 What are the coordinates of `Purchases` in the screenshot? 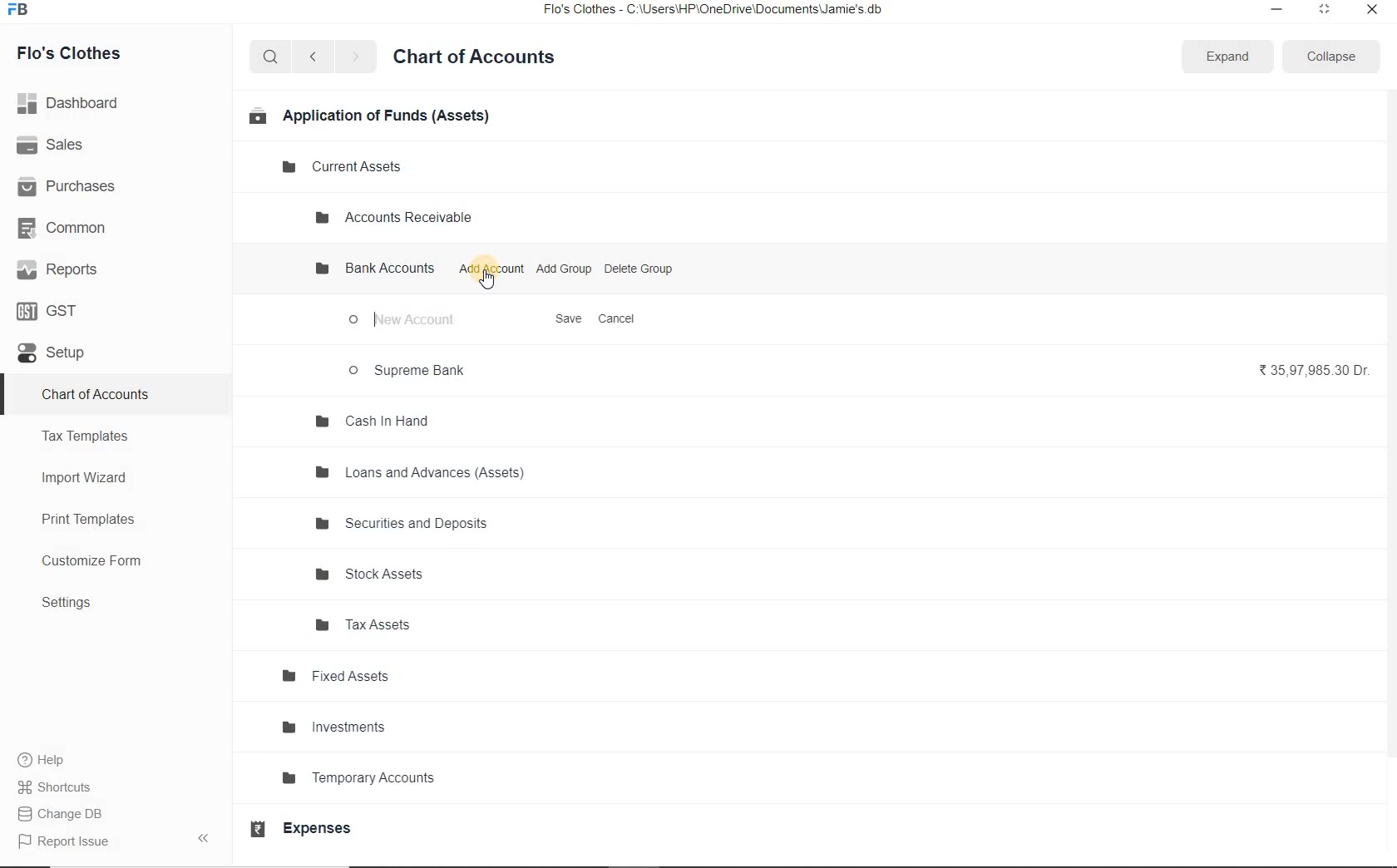 It's located at (74, 185).